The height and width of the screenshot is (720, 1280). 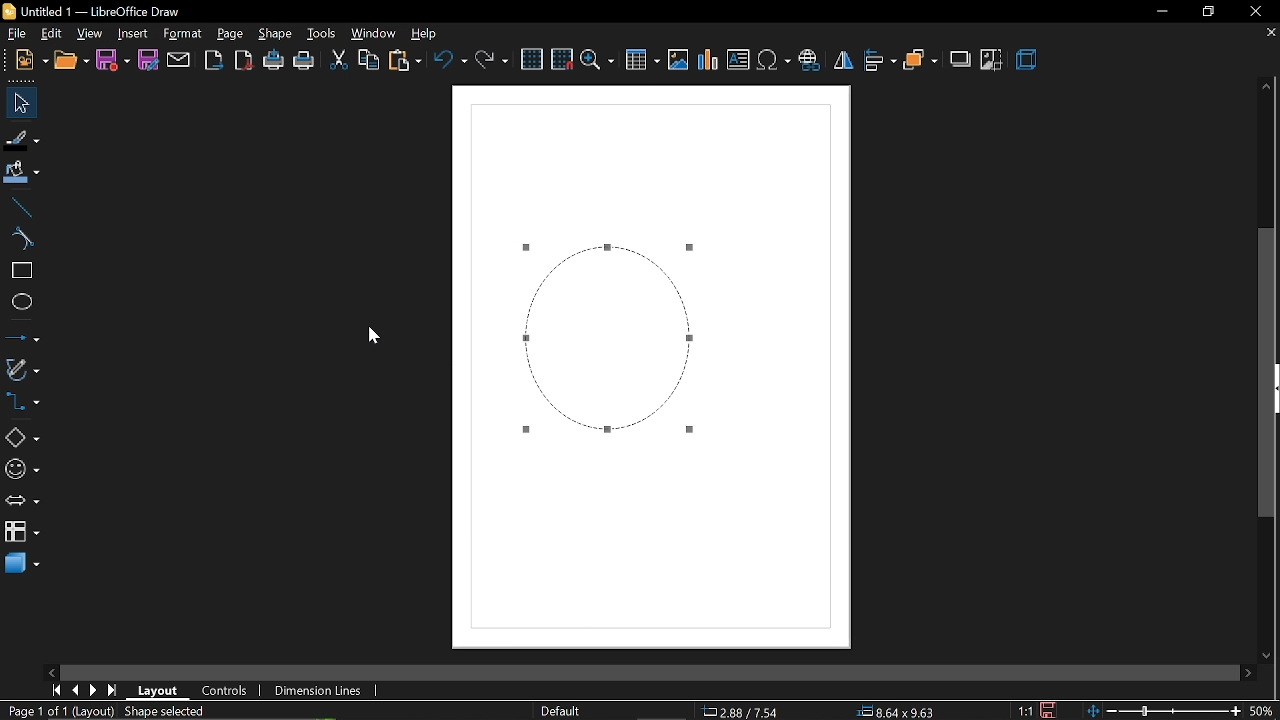 What do you see at coordinates (131, 34) in the screenshot?
I see `insert` at bounding box center [131, 34].